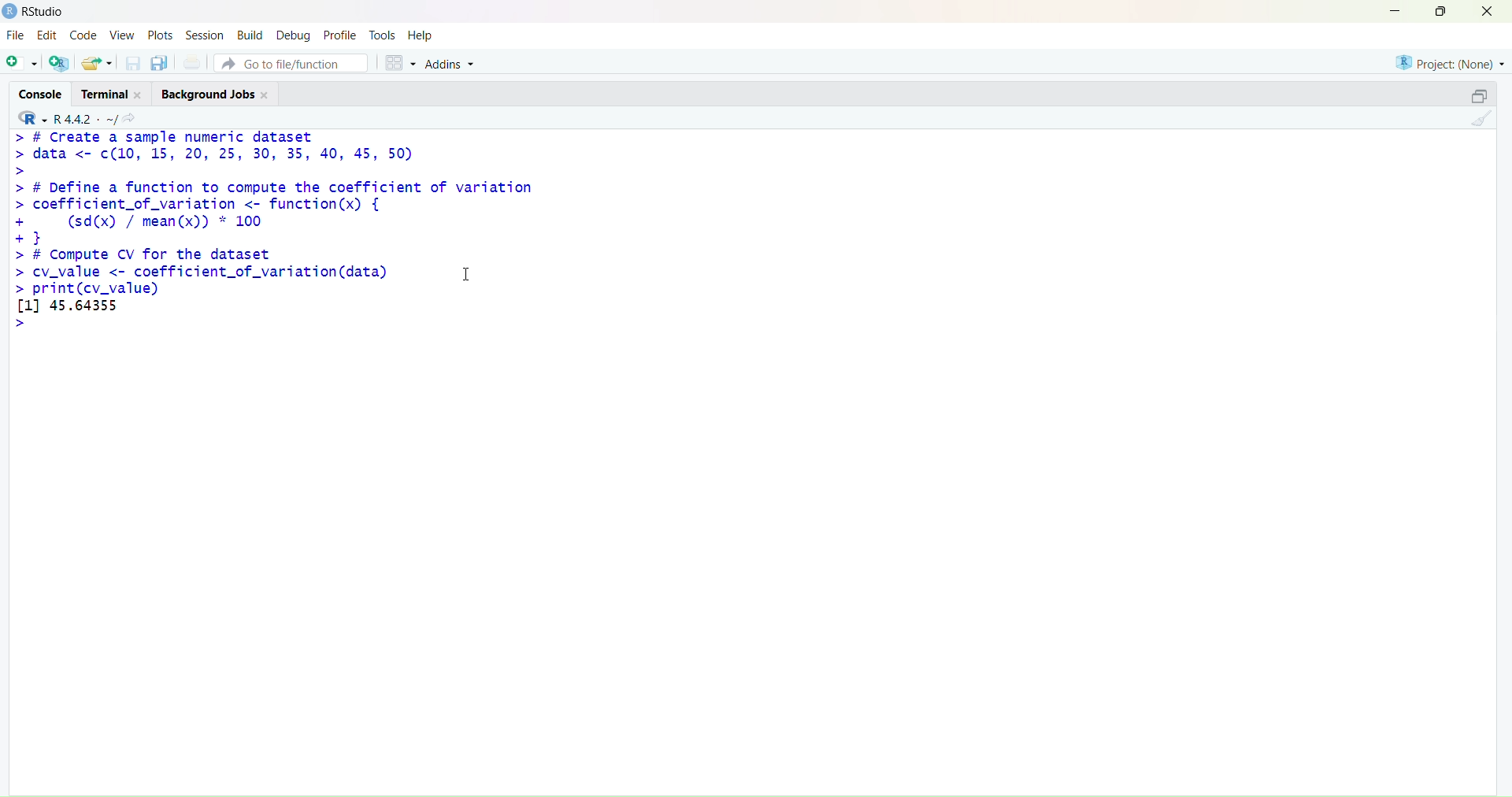 The width and height of the screenshot is (1512, 797). What do you see at coordinates (293, 37) in the screenshot?
I see `debug` at bounding box center [293, 37].